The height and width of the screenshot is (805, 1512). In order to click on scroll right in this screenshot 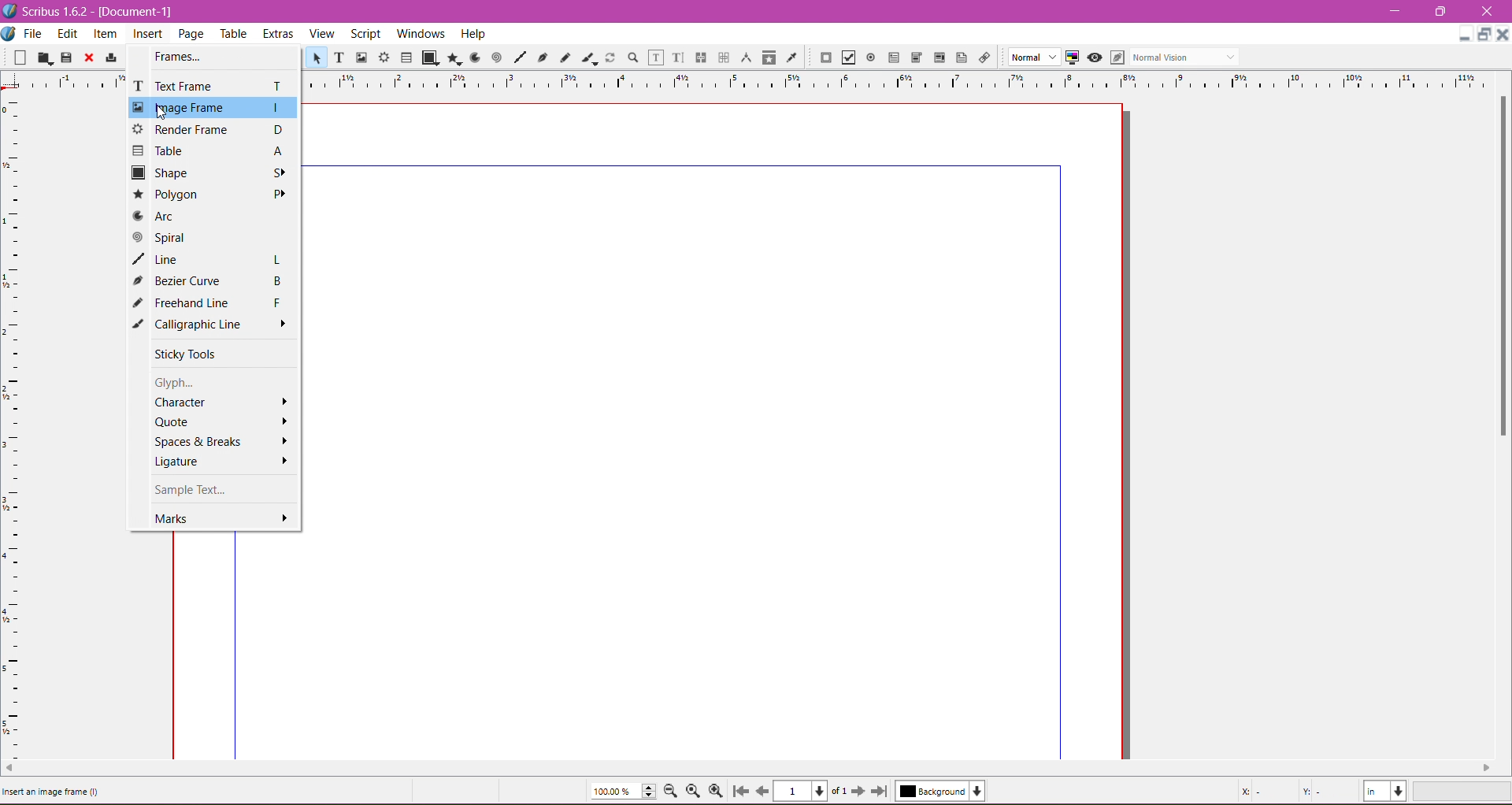, I will do `click(1493, 768)`.